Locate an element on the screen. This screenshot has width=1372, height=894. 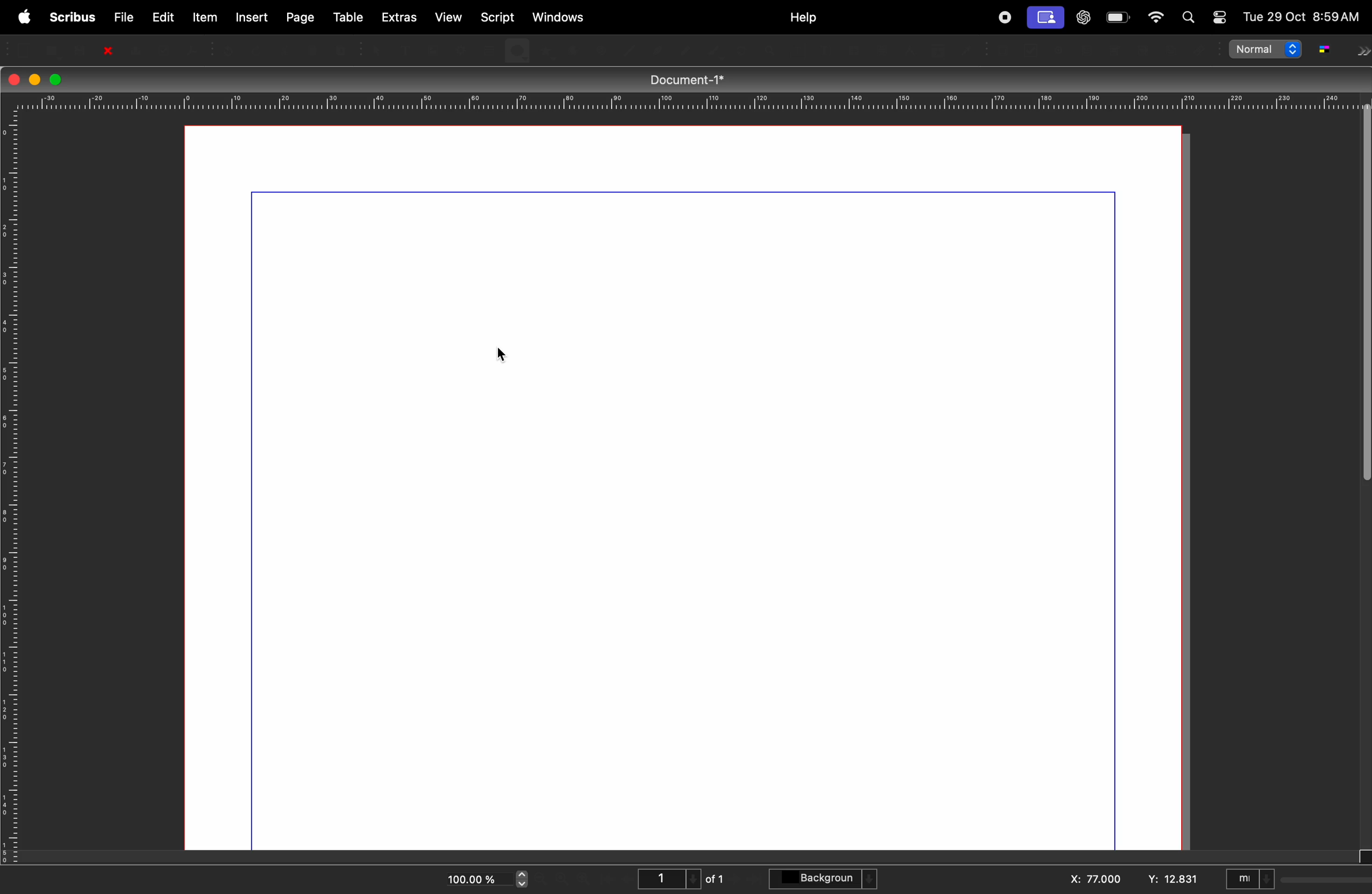
Document-1* is located at coordinates (694, 79).